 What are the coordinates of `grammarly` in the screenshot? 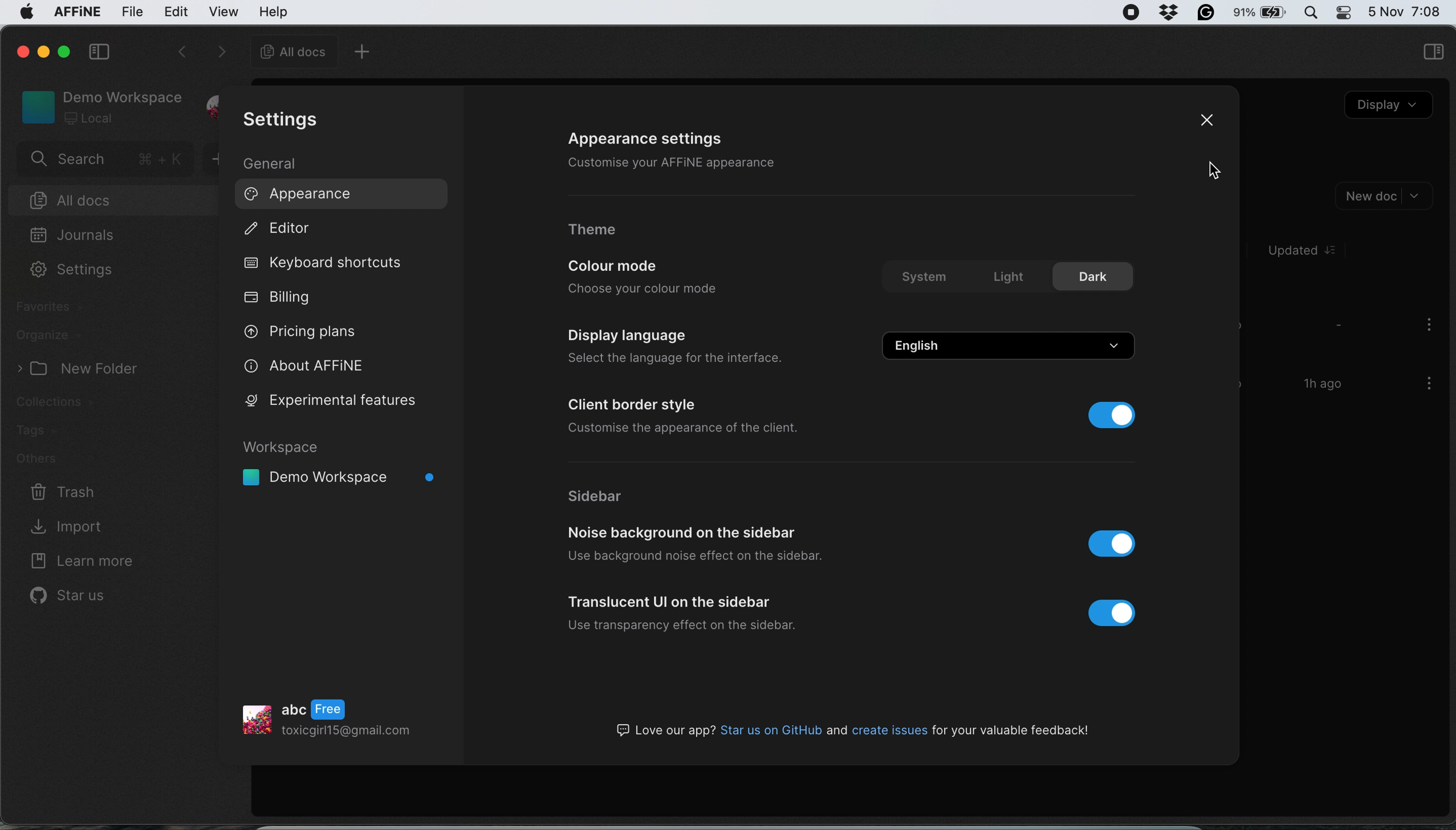 It's located at (1207, 13).